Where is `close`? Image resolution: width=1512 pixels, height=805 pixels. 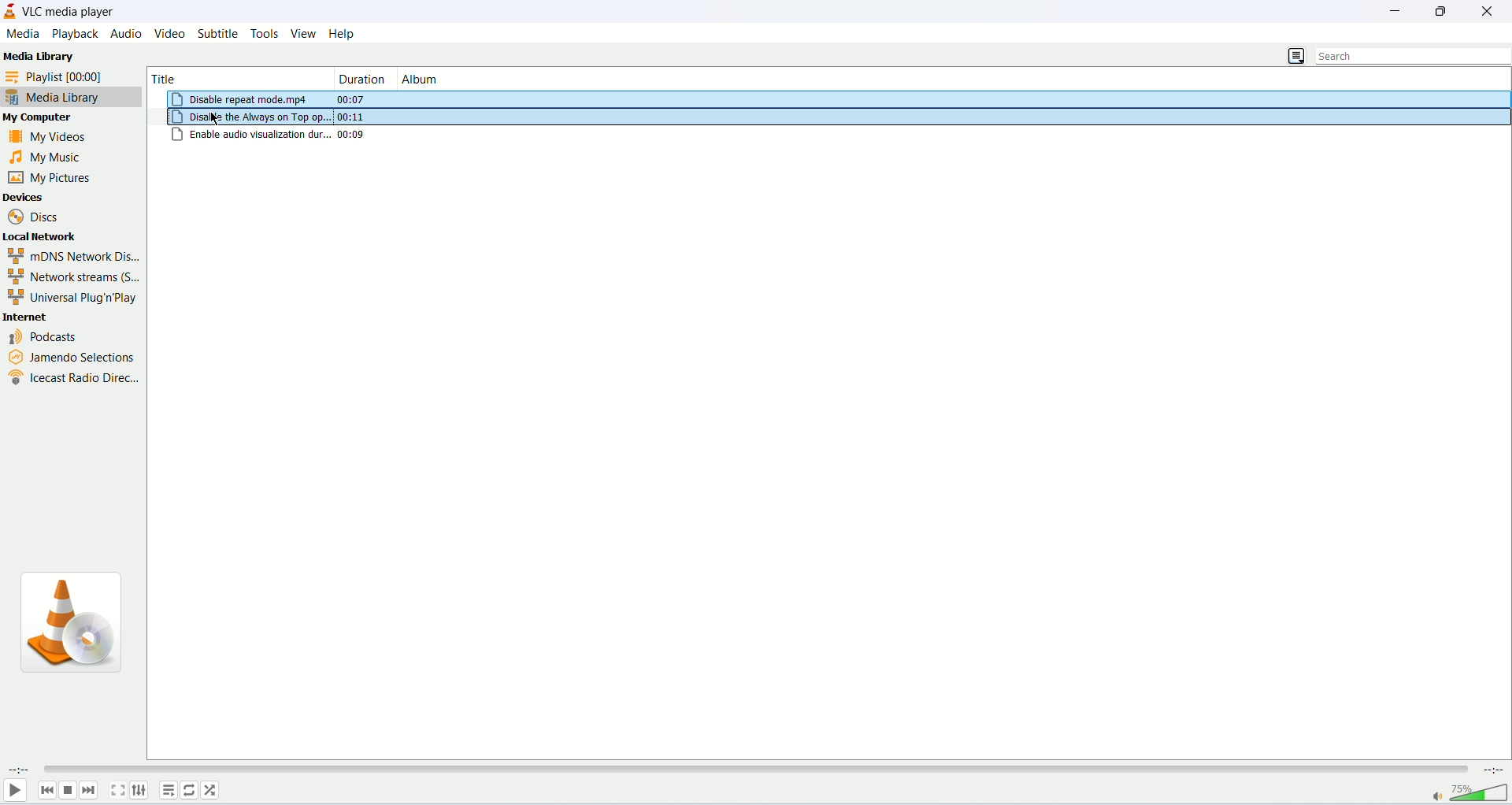
close is located at coordinates (1492, 9).